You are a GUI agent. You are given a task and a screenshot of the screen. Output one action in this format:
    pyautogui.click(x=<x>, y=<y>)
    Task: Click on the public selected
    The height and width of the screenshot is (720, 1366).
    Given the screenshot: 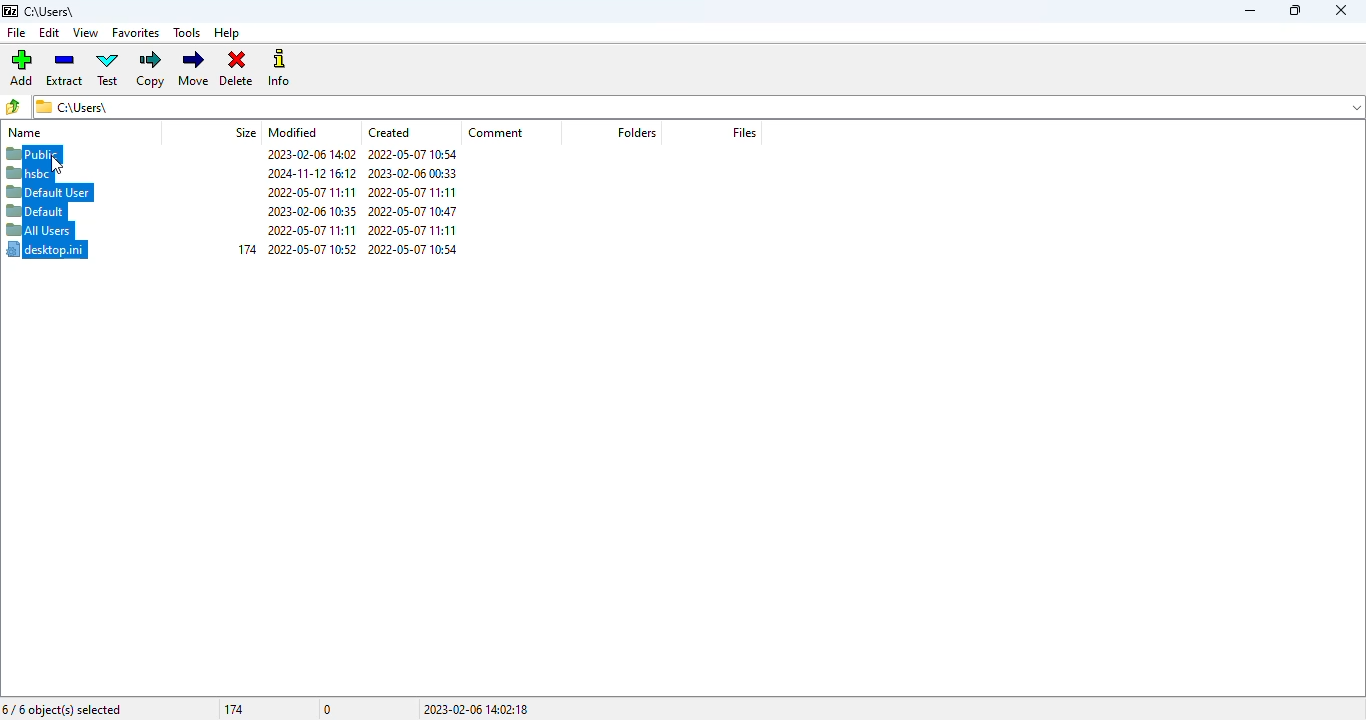 What is the action you would take?
    pyautogui.click(x=32, y=154)
    